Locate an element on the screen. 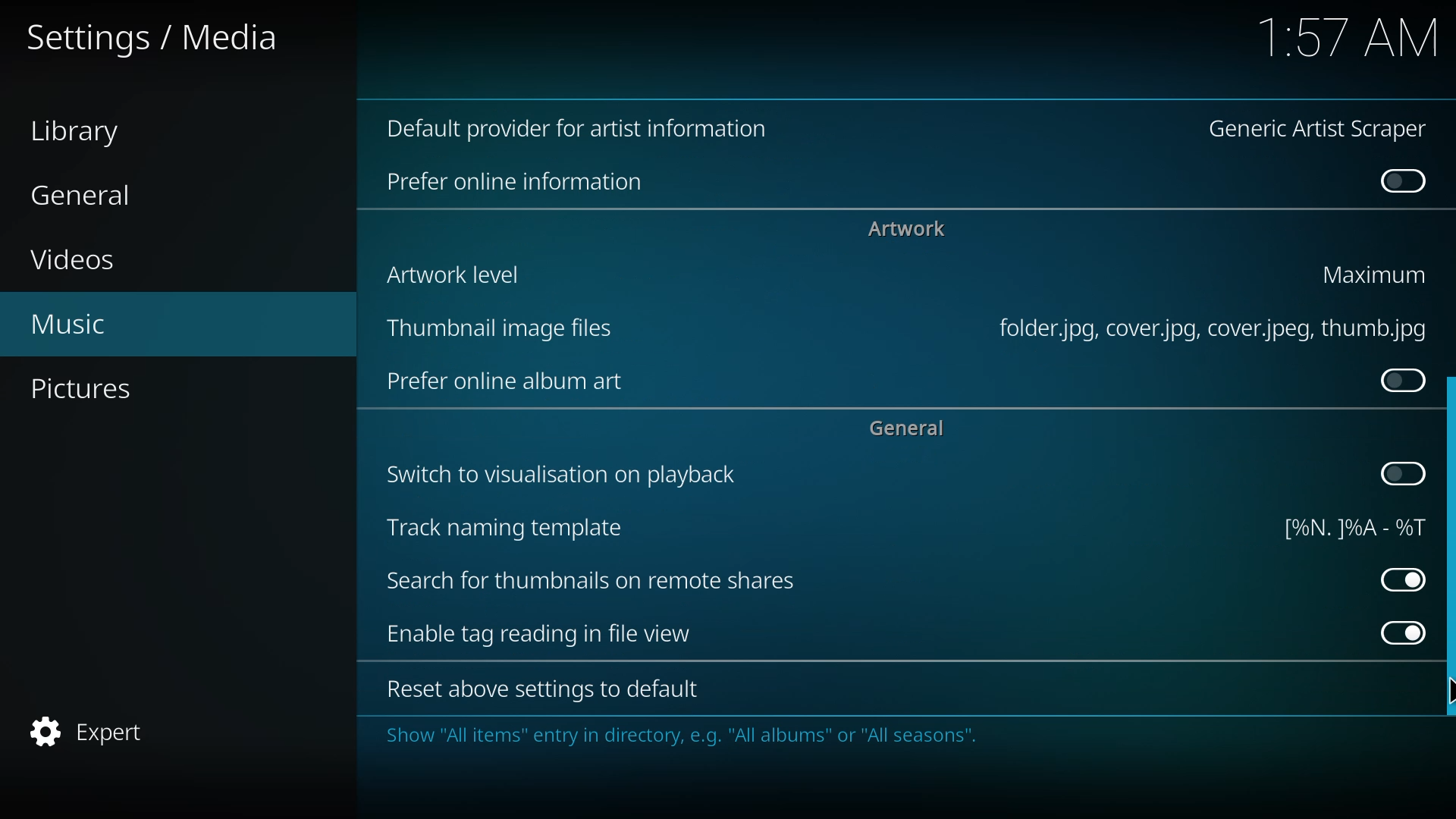  thumbnail image file is located at coordinates (493, 328).